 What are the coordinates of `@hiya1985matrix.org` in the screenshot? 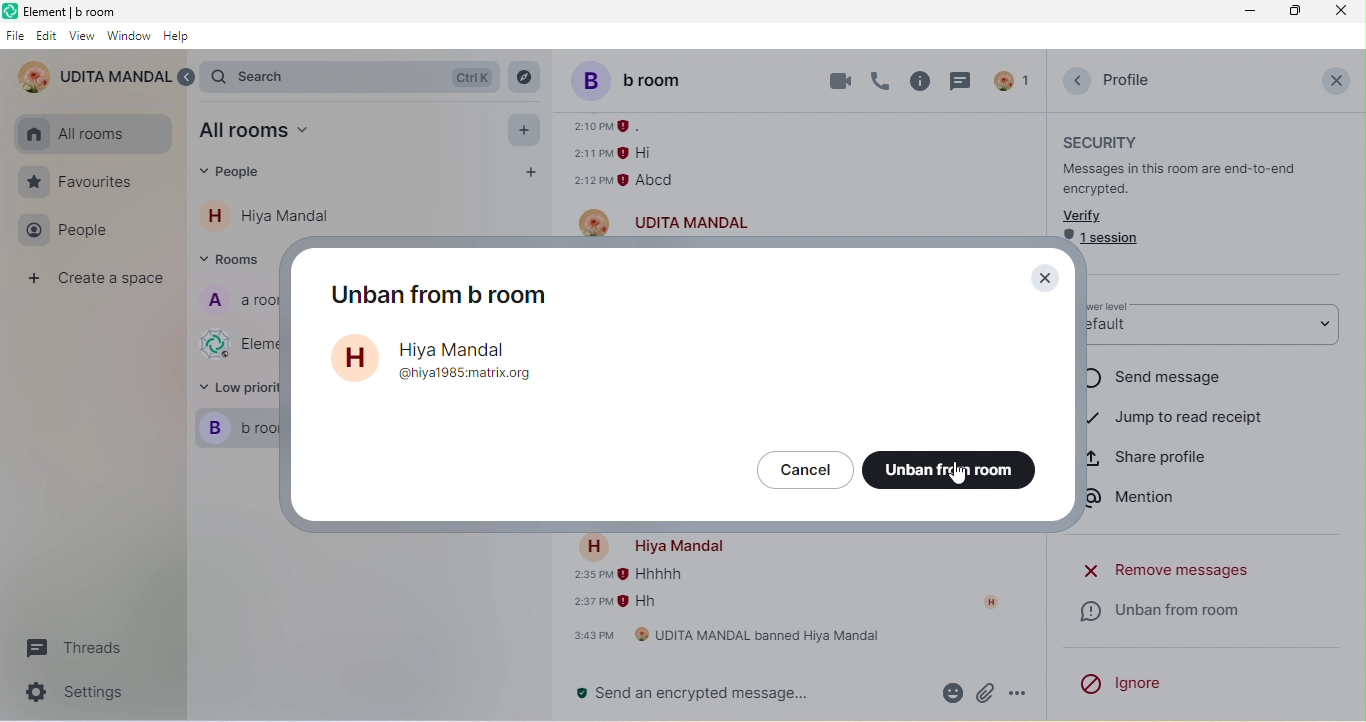 It's located at (466, 376).